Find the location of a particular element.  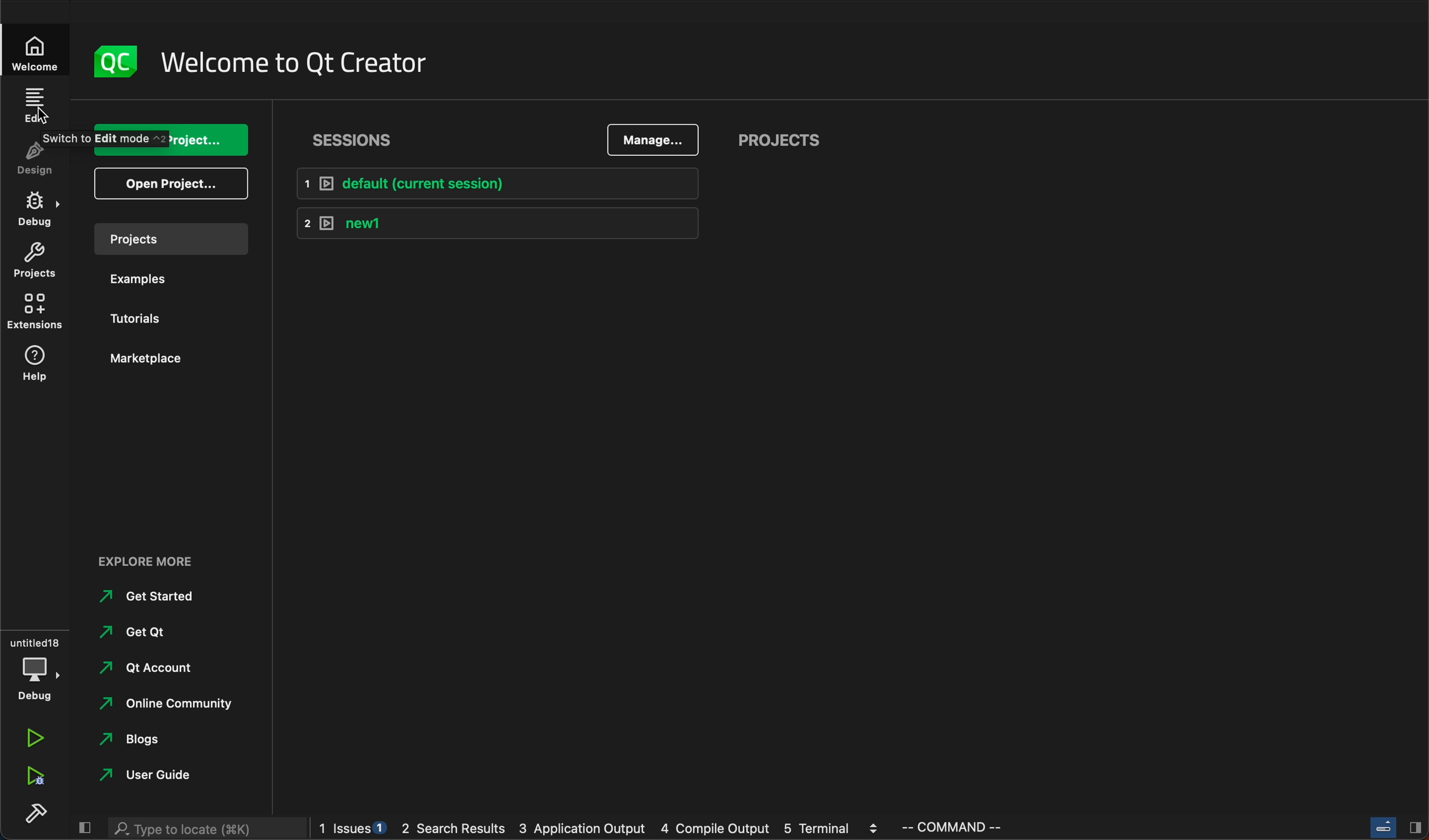

examples is located at coordinates (143, 277).